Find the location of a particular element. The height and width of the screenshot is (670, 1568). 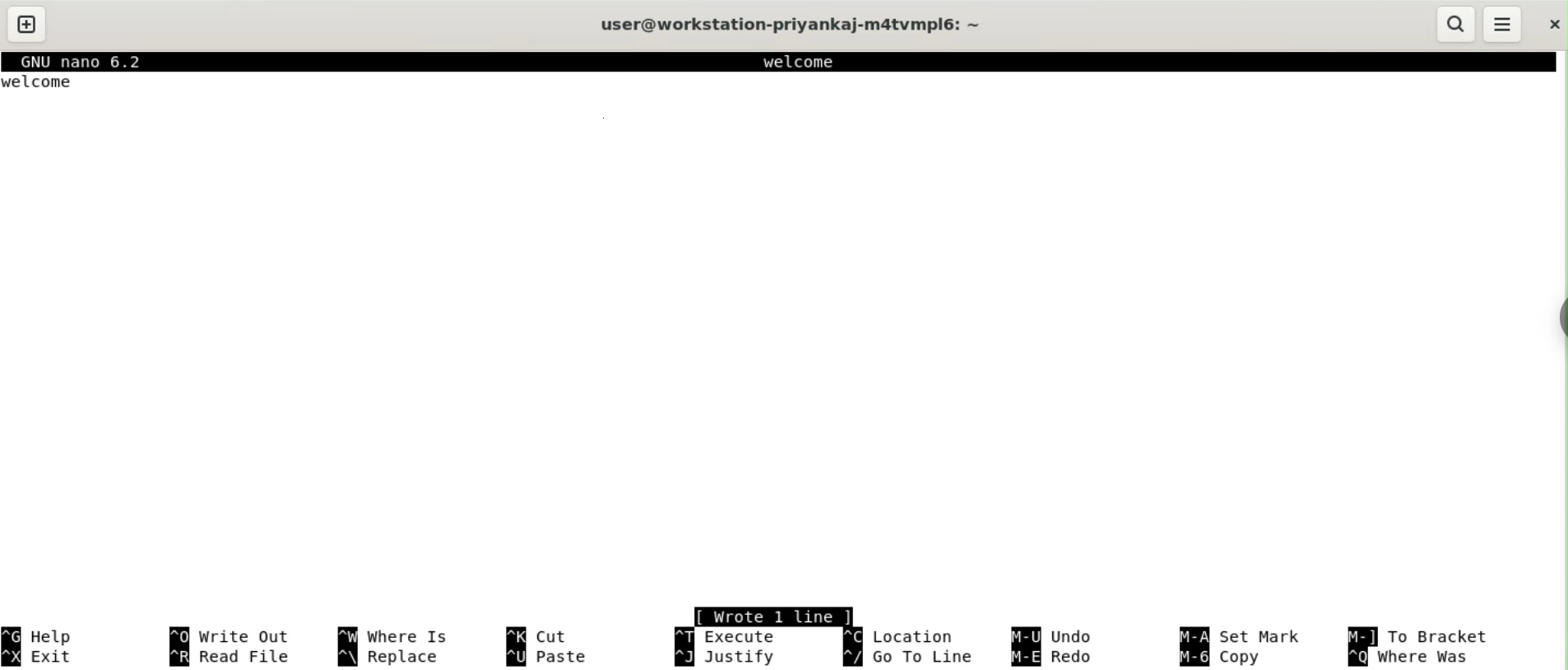

replace is located at coordinates (392, 658).